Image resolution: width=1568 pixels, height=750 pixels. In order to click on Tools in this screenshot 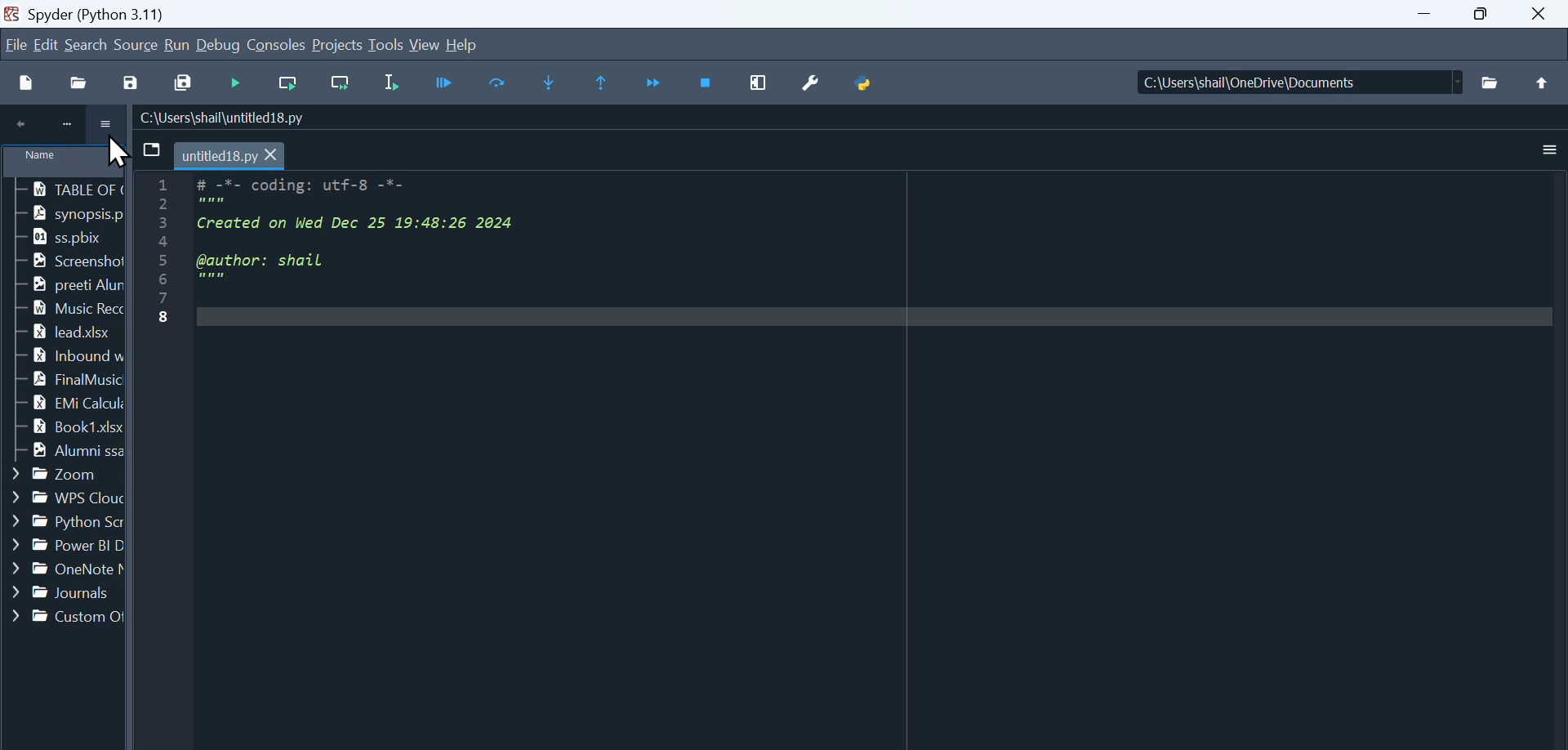, I will do `click(388, 45)`.